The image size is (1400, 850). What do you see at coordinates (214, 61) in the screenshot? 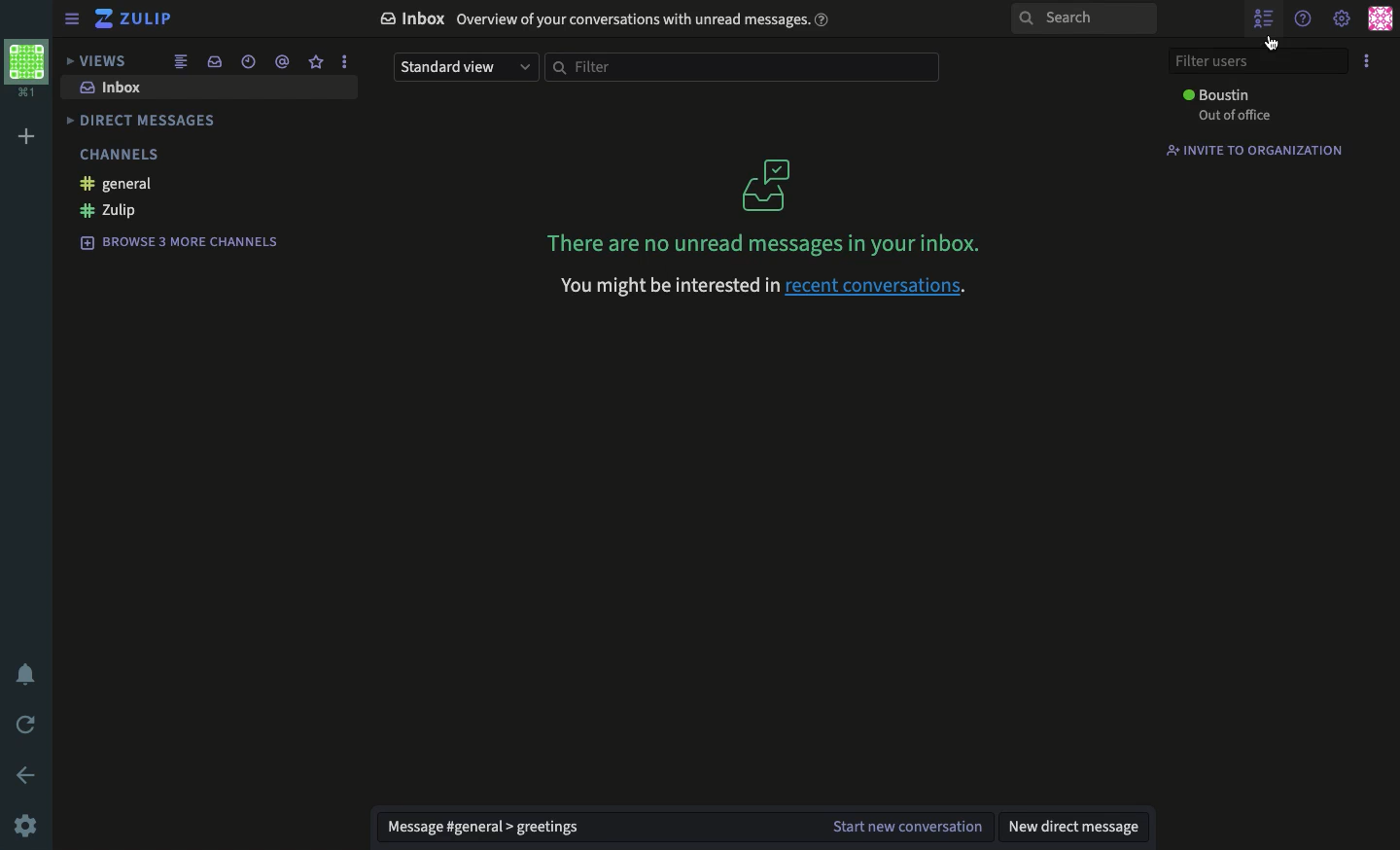
I see `inbox` at bounding box center [214, 61].